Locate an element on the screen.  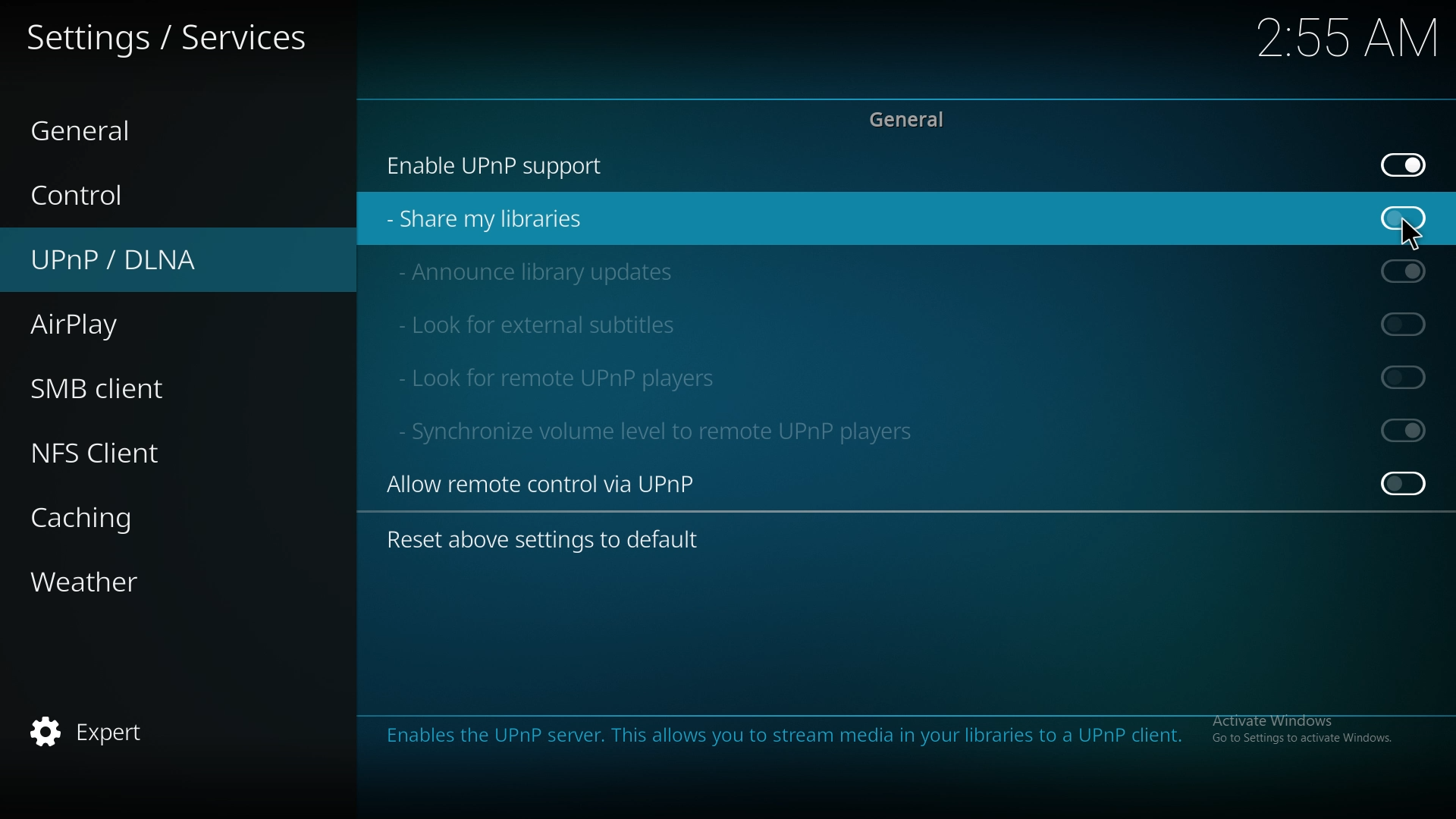
announce library updates is located at coordinates (543, 271).